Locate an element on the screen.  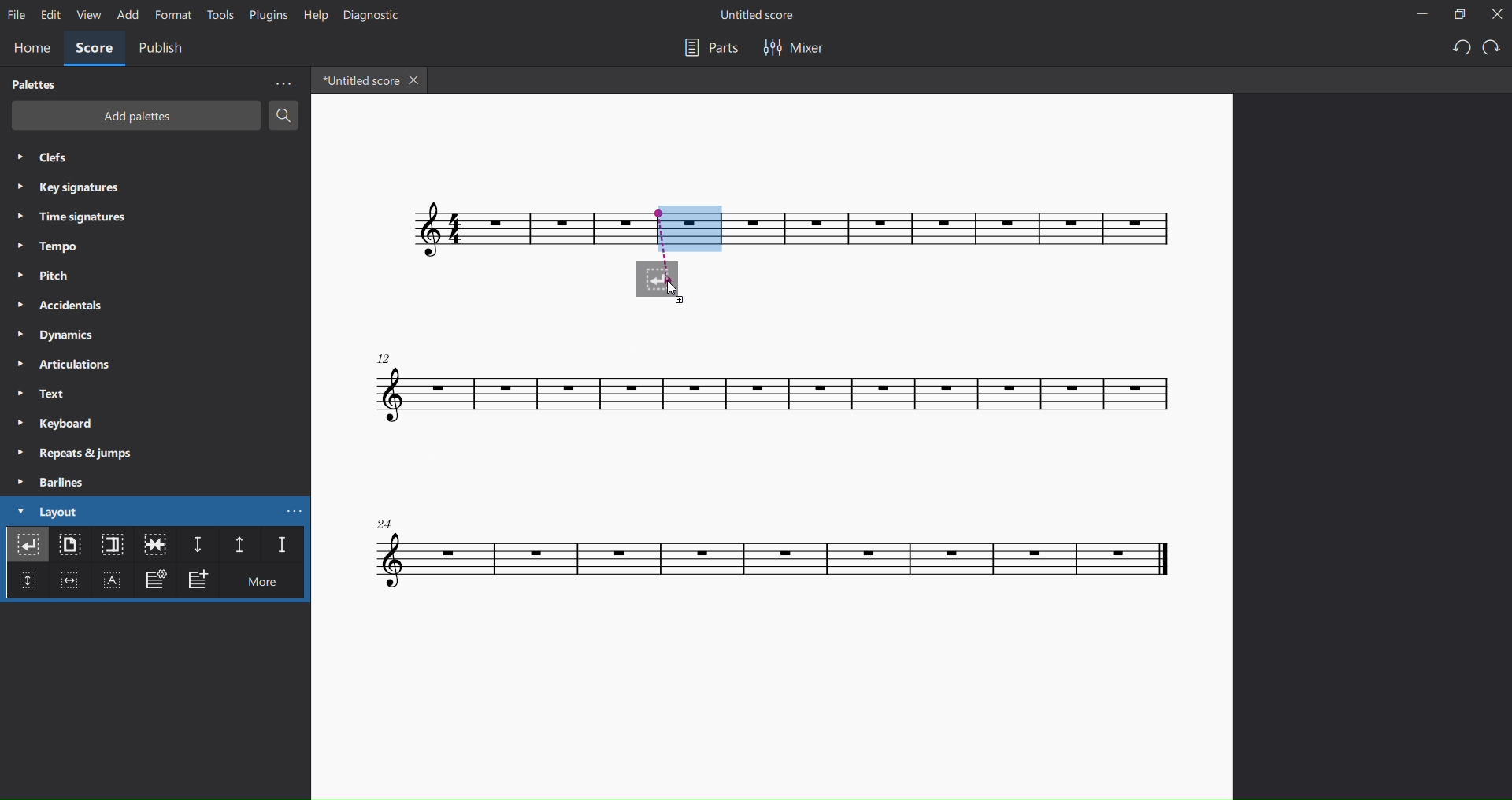
add is located at coordinates (127, 16).